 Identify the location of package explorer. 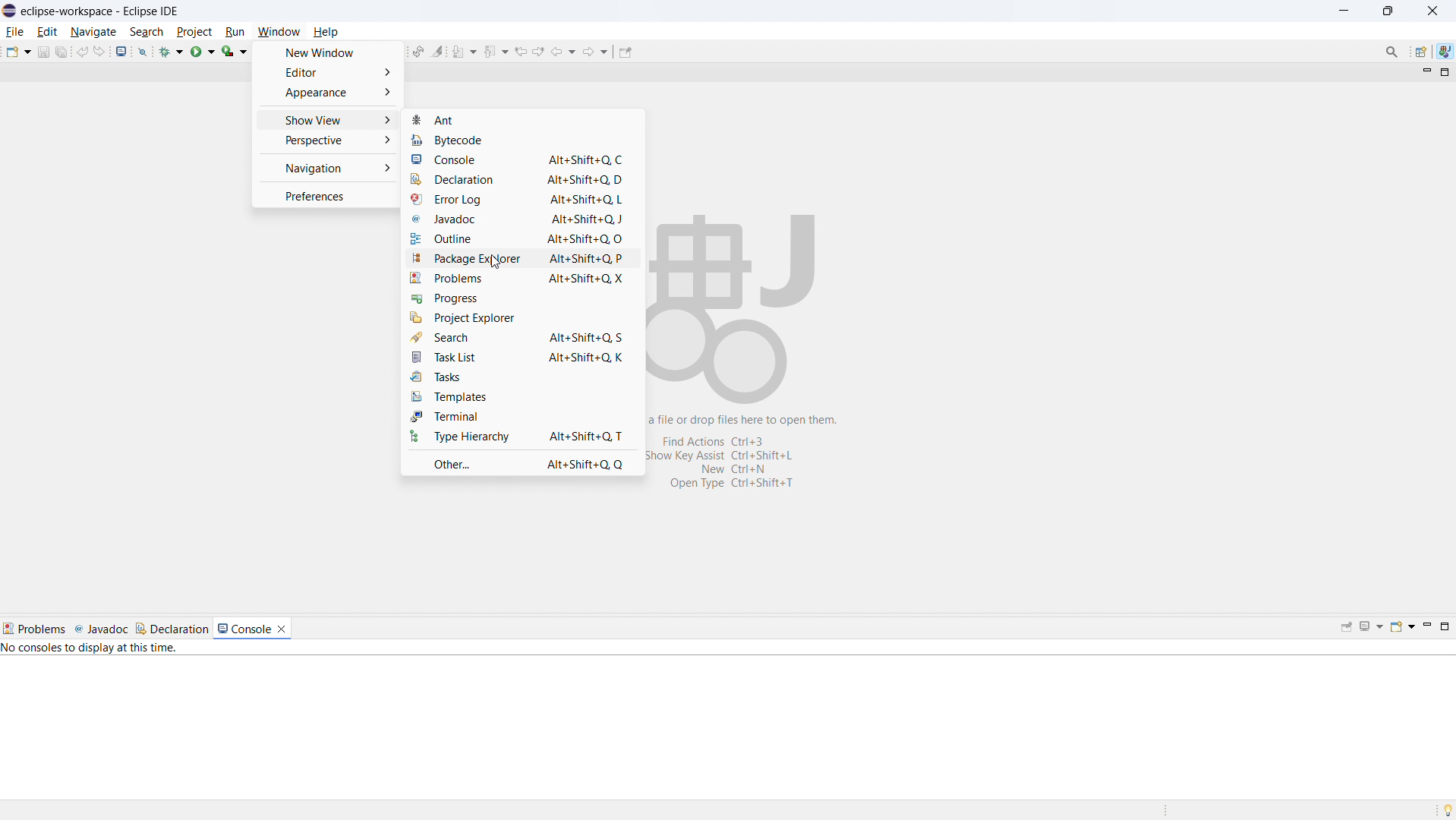
(520, 259).